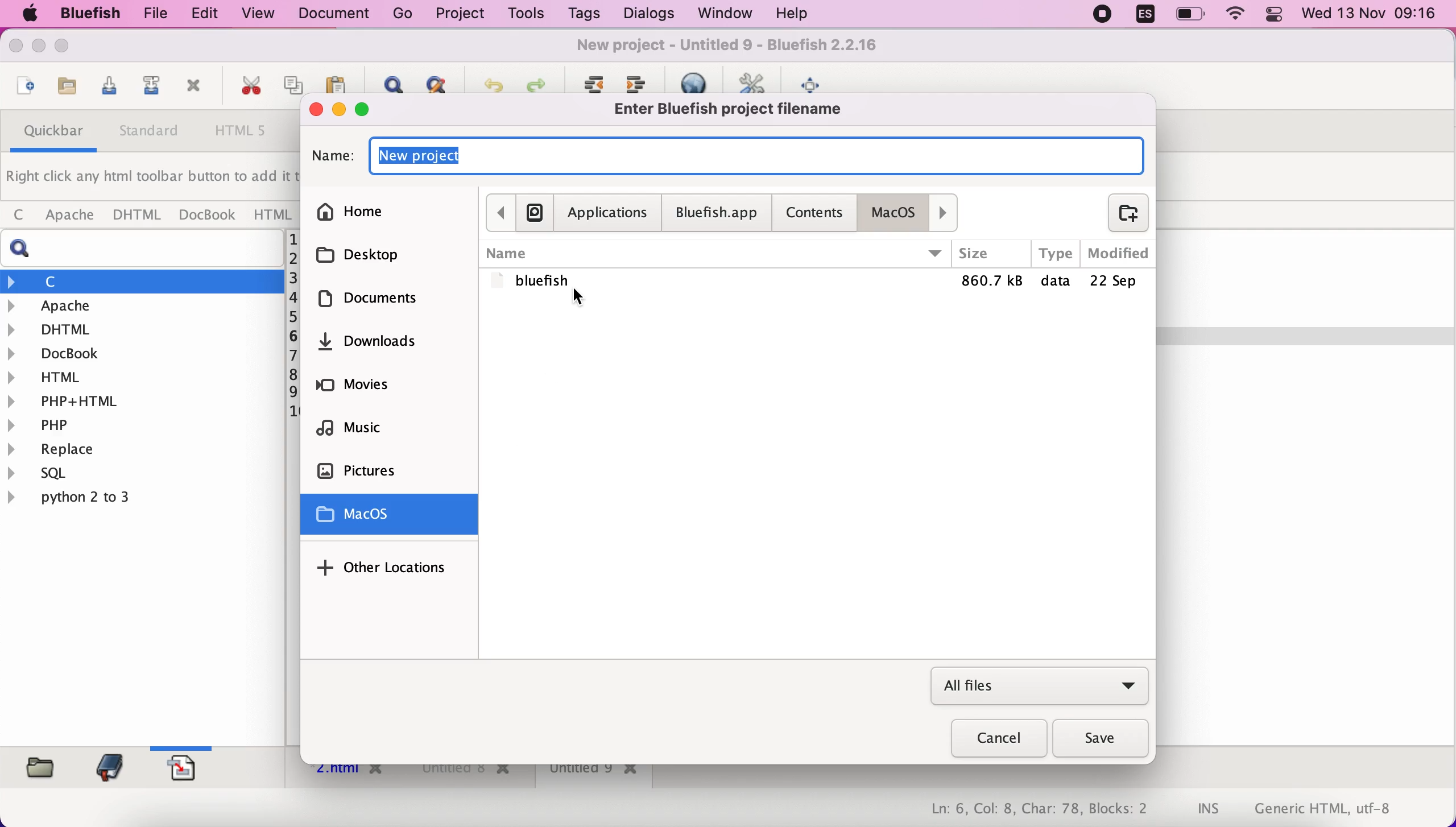  Describe the element at coordinates (792, 15) in the screenshot. I see `help` at that location.